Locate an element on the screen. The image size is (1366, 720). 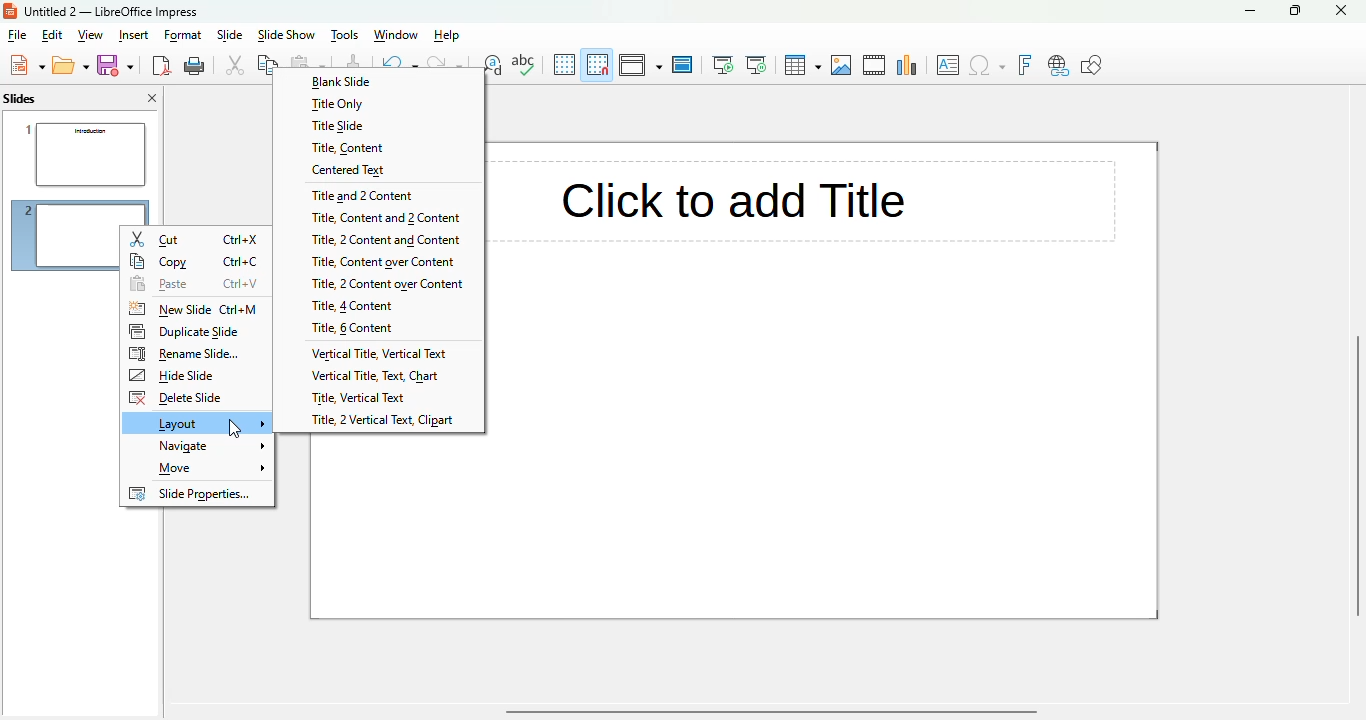
find and replace is located at coordinates (497, 65).